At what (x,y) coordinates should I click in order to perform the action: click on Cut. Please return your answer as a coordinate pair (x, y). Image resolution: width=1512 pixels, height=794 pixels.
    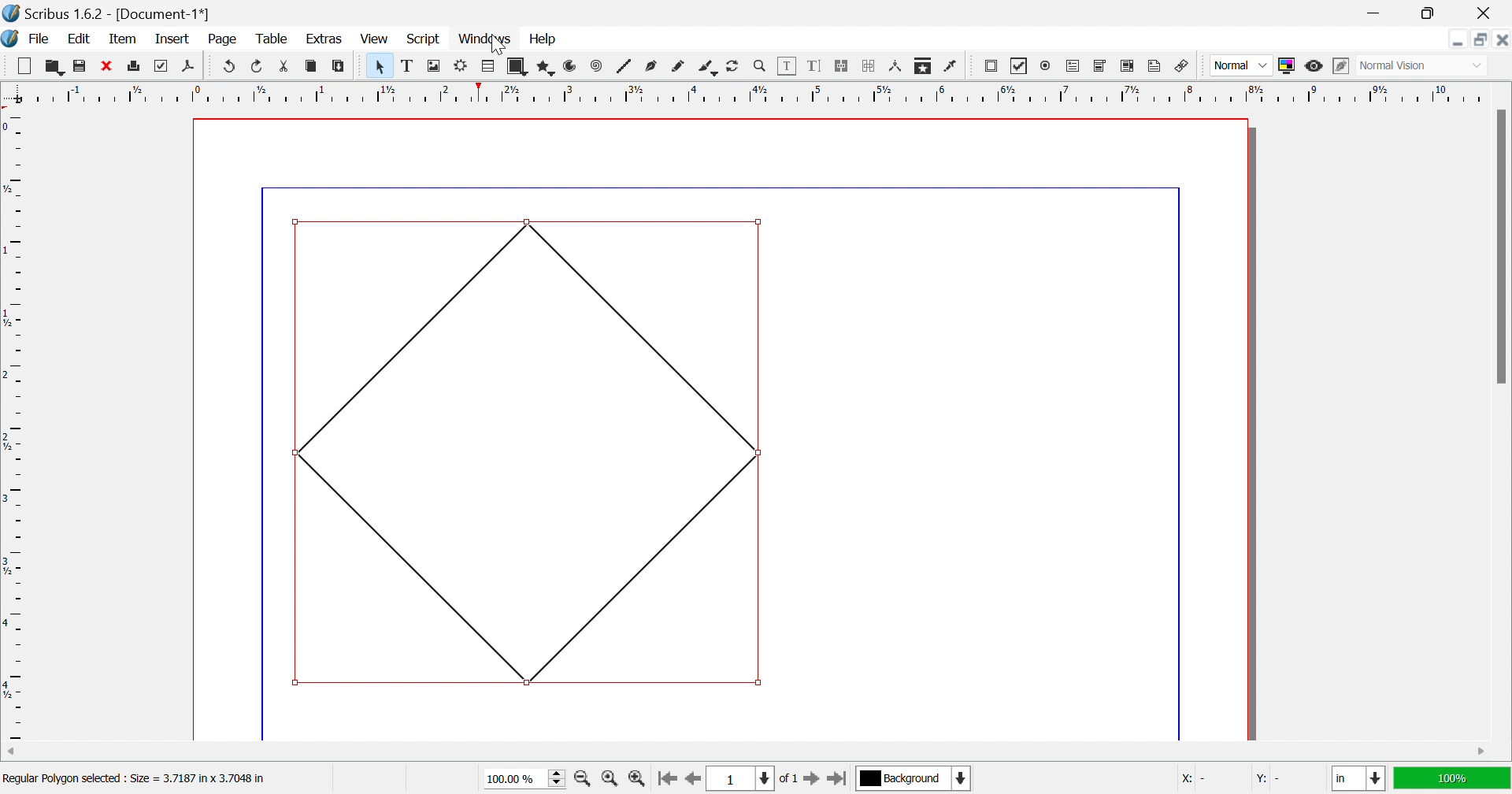
    Looking at the image, I should click on (288, 69).